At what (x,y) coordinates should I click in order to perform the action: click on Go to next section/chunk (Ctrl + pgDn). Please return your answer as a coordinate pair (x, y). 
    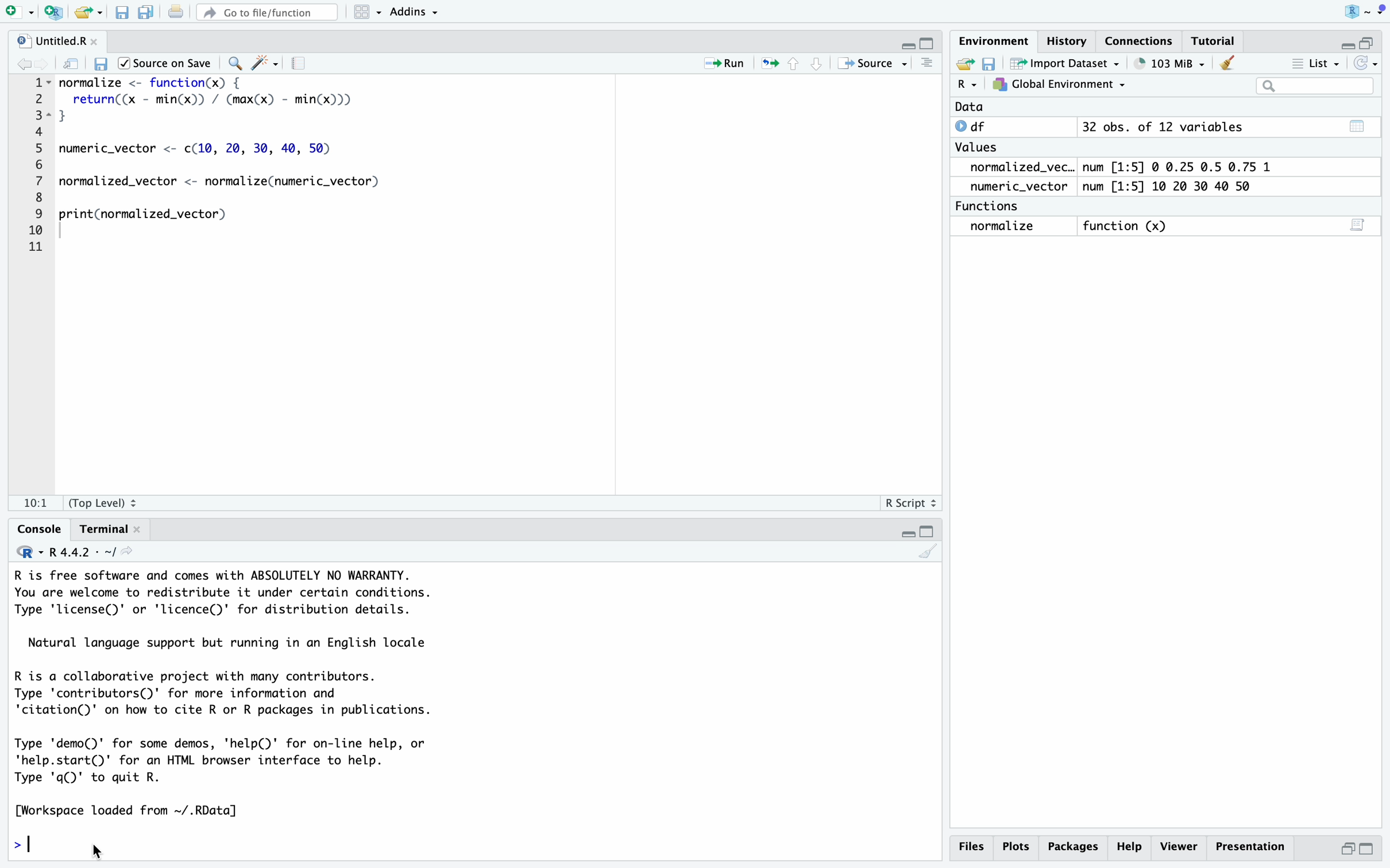
    Looking at the image, I should click on (817, 64).